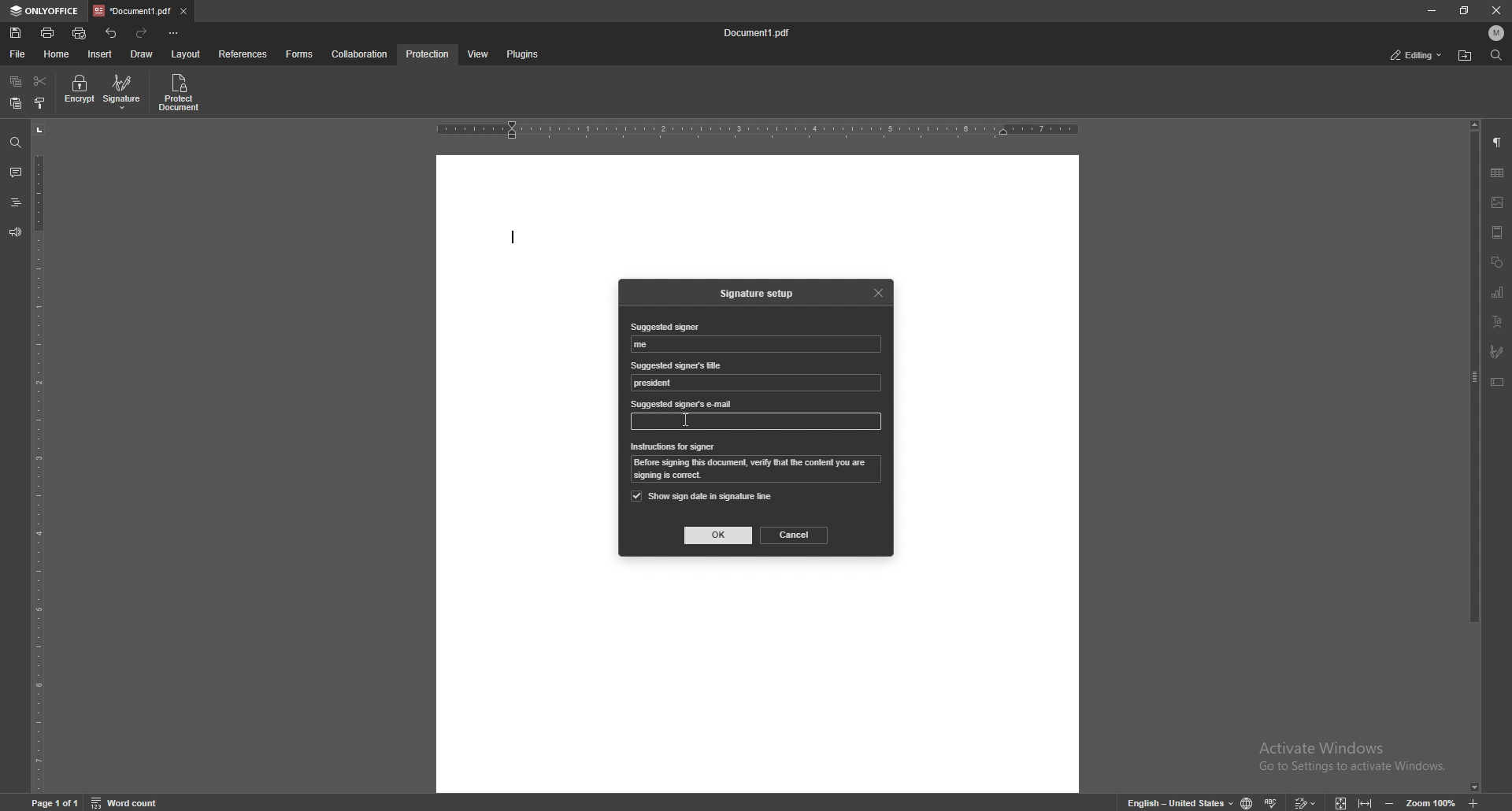  I want to click on fit to width, so click(1367, 800).